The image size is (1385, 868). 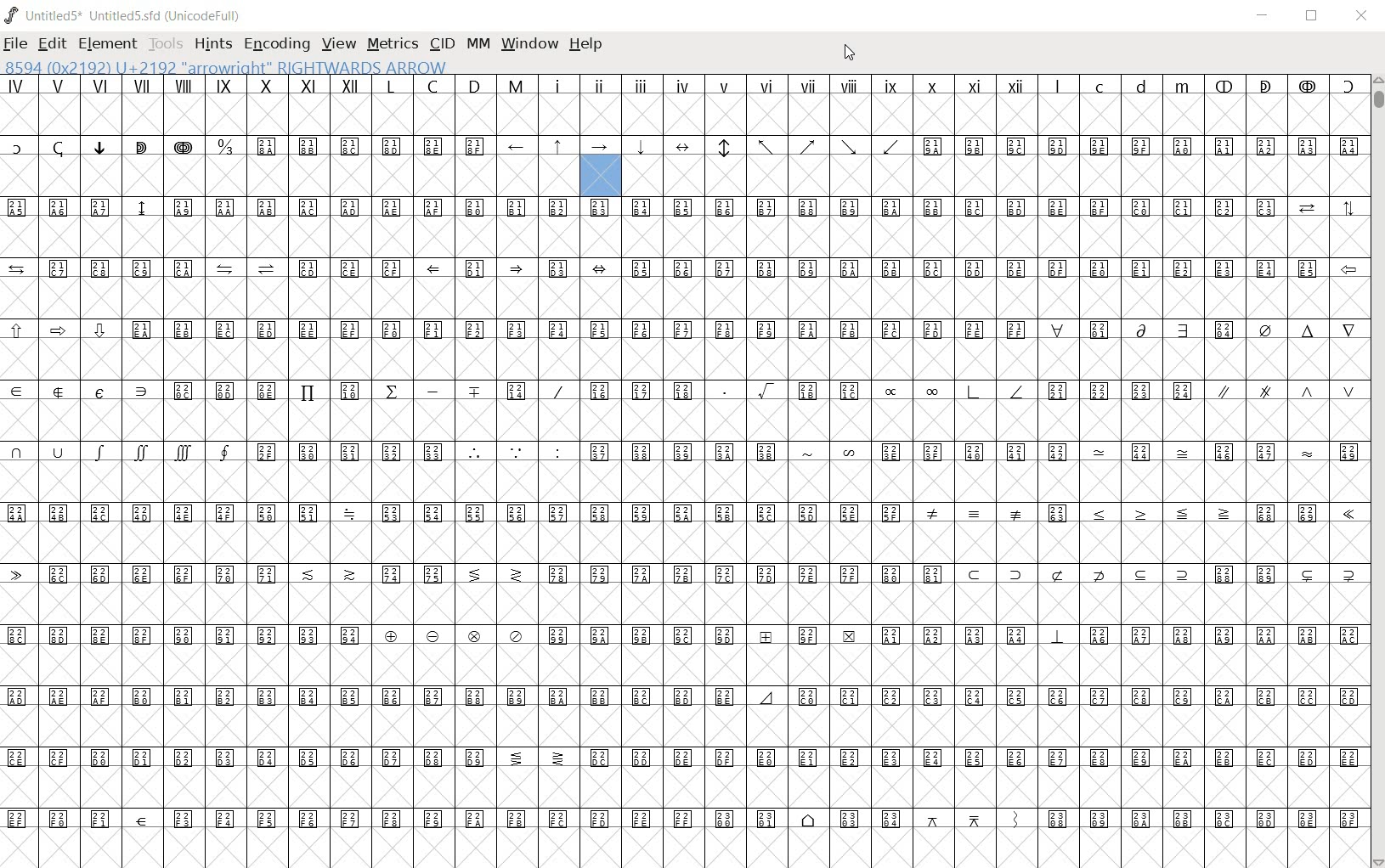 What do you see at coordinates (1377, 470) in the screenshot?
I see `SCROLLBAR` at bounding box center [1377, 470].